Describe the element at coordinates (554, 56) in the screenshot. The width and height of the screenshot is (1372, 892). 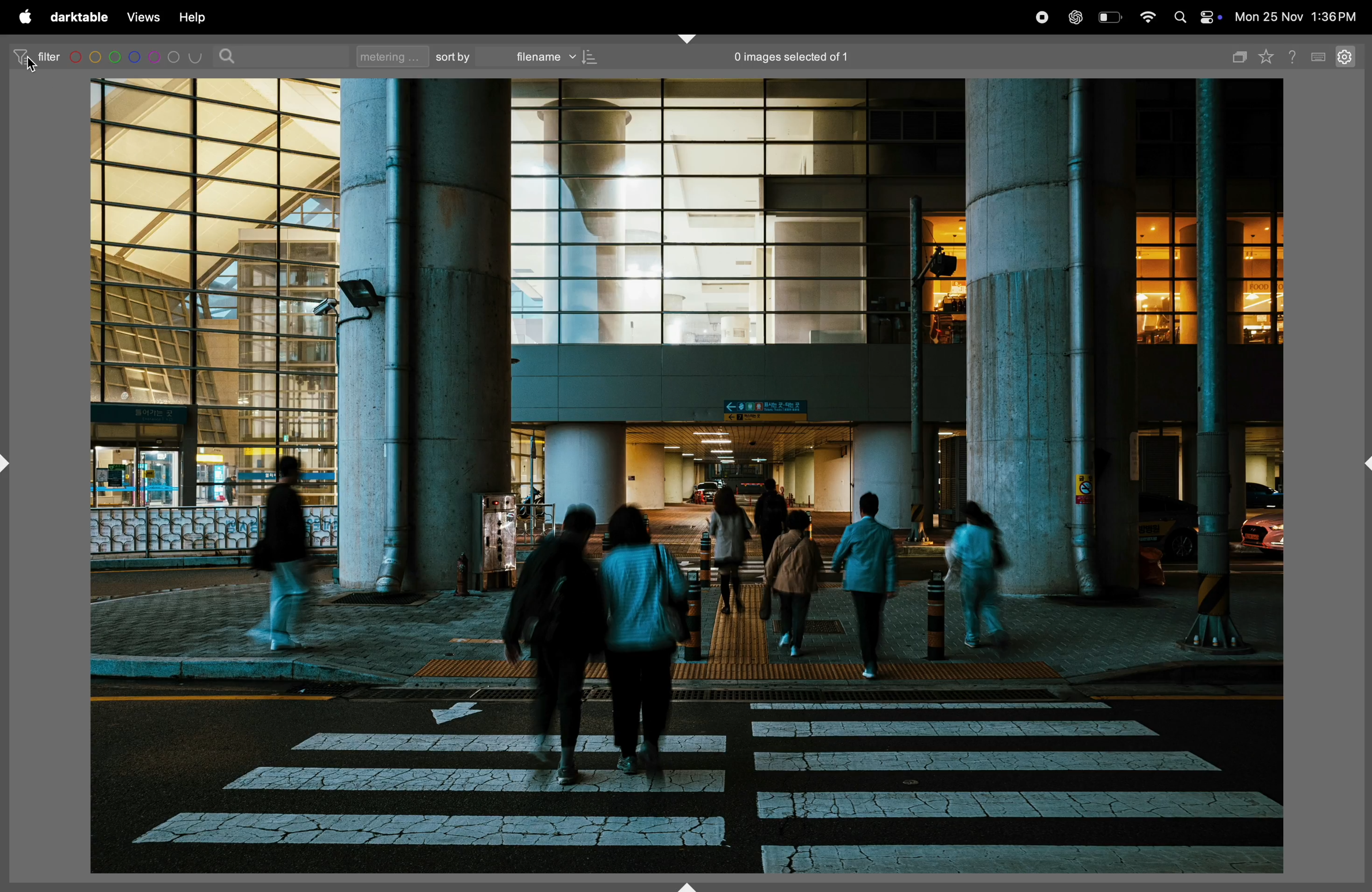
I see `file name` at that location.